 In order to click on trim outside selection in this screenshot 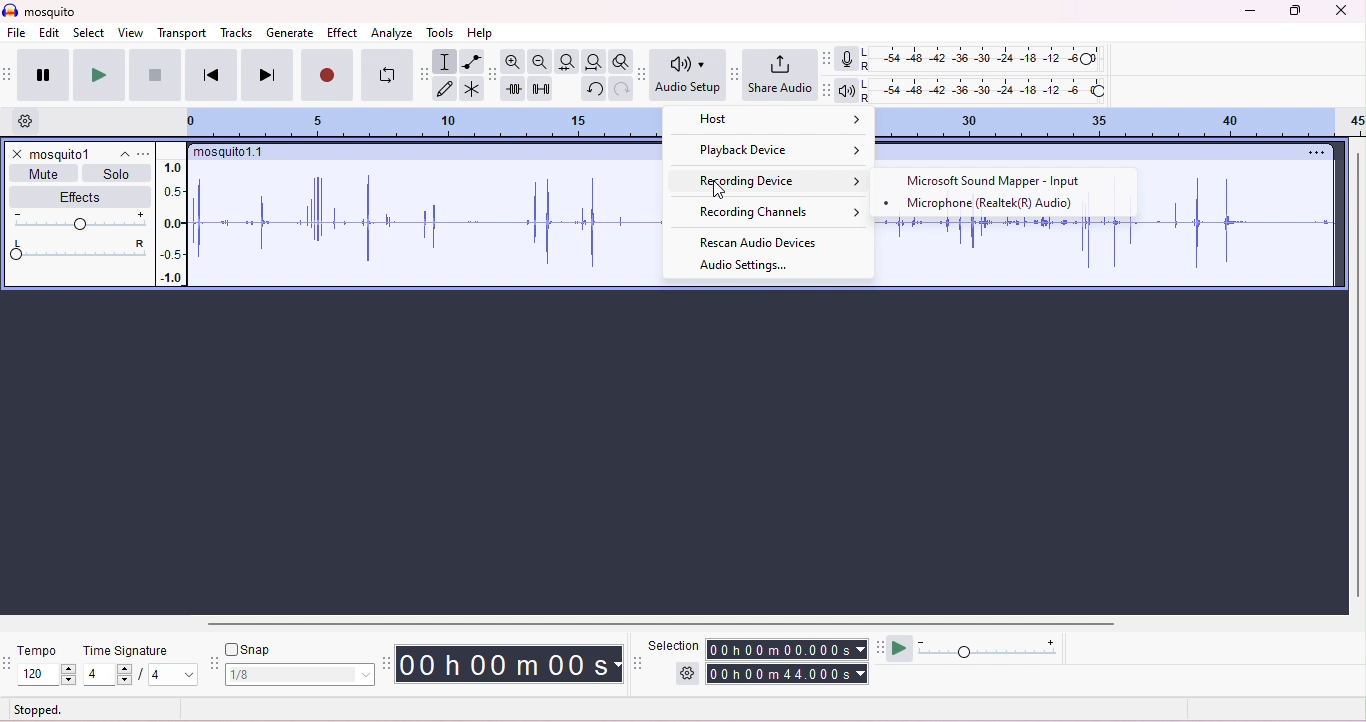, I will do `click(515, 89)`.